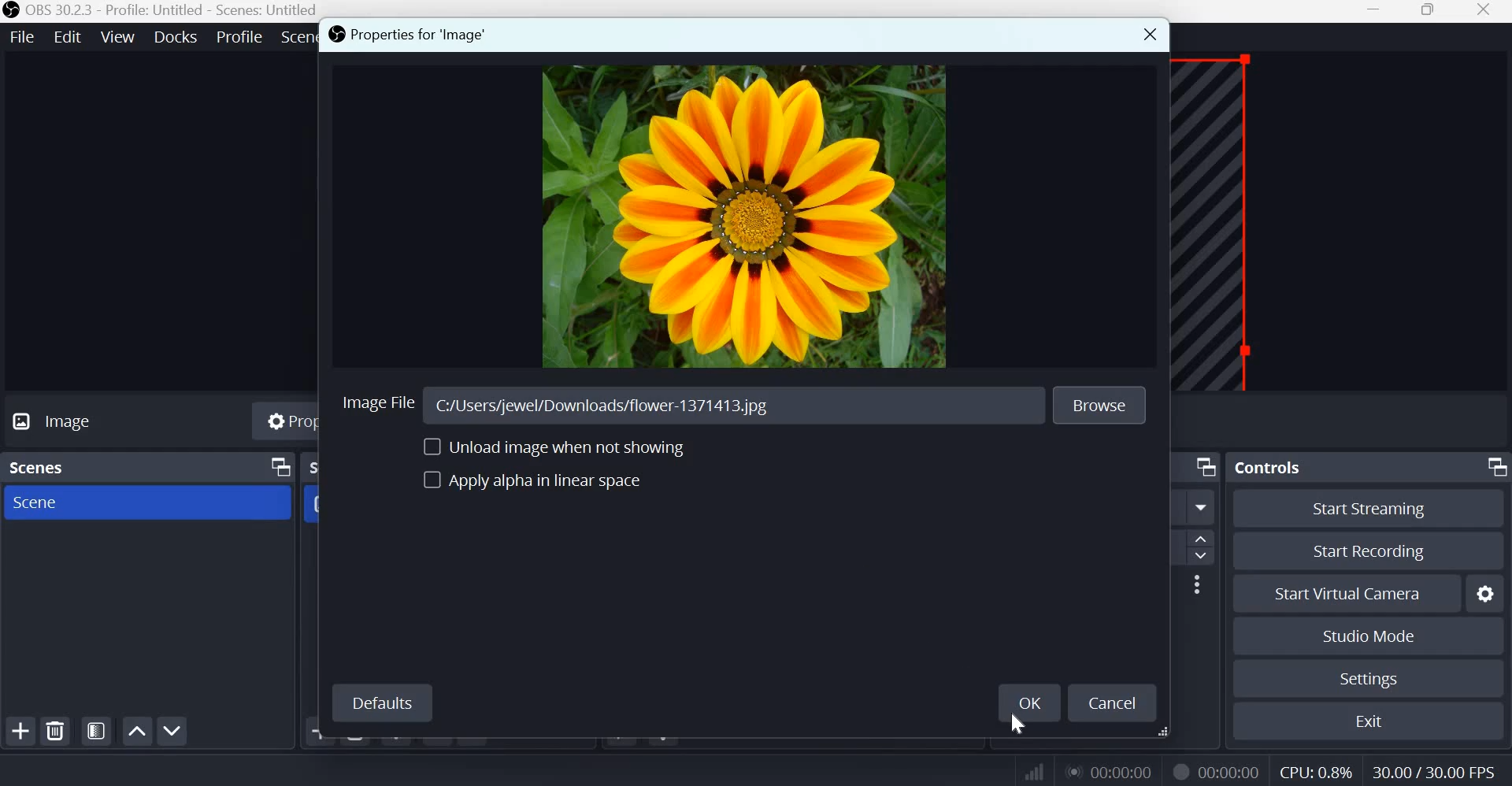 Image resolution: width=1512 pixels, height=786 pixels. What do you see at coordinates (750, 218) in the screenshot?
I see `Flower image` at bounding box center [750, 218].